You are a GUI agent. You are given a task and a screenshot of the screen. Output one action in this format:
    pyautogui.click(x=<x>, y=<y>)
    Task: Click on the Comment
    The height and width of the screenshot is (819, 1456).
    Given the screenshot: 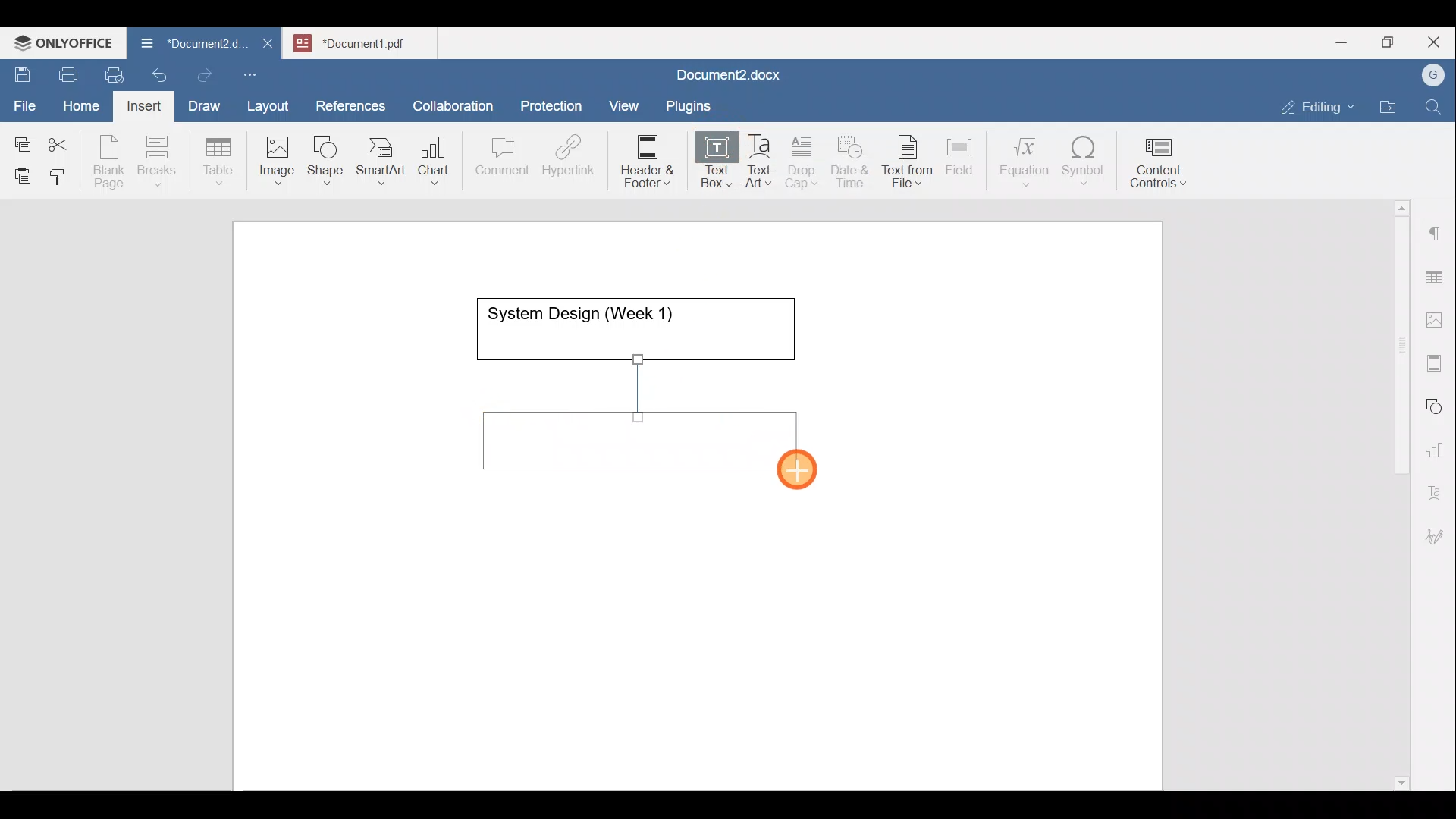 What is the action you would take?
    pyautogui.click(x=497, y=160)
    